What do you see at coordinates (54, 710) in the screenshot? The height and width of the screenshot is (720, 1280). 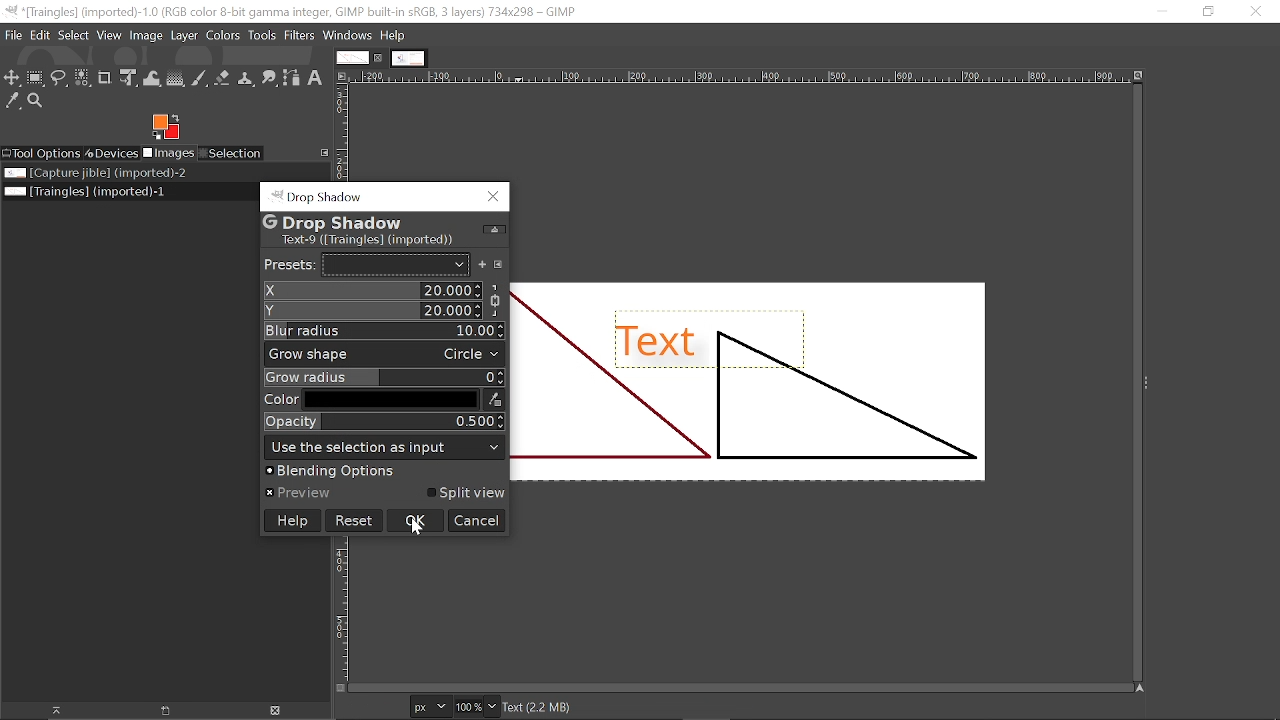 I see `Raise this image display` at bounding box center [54, 710].